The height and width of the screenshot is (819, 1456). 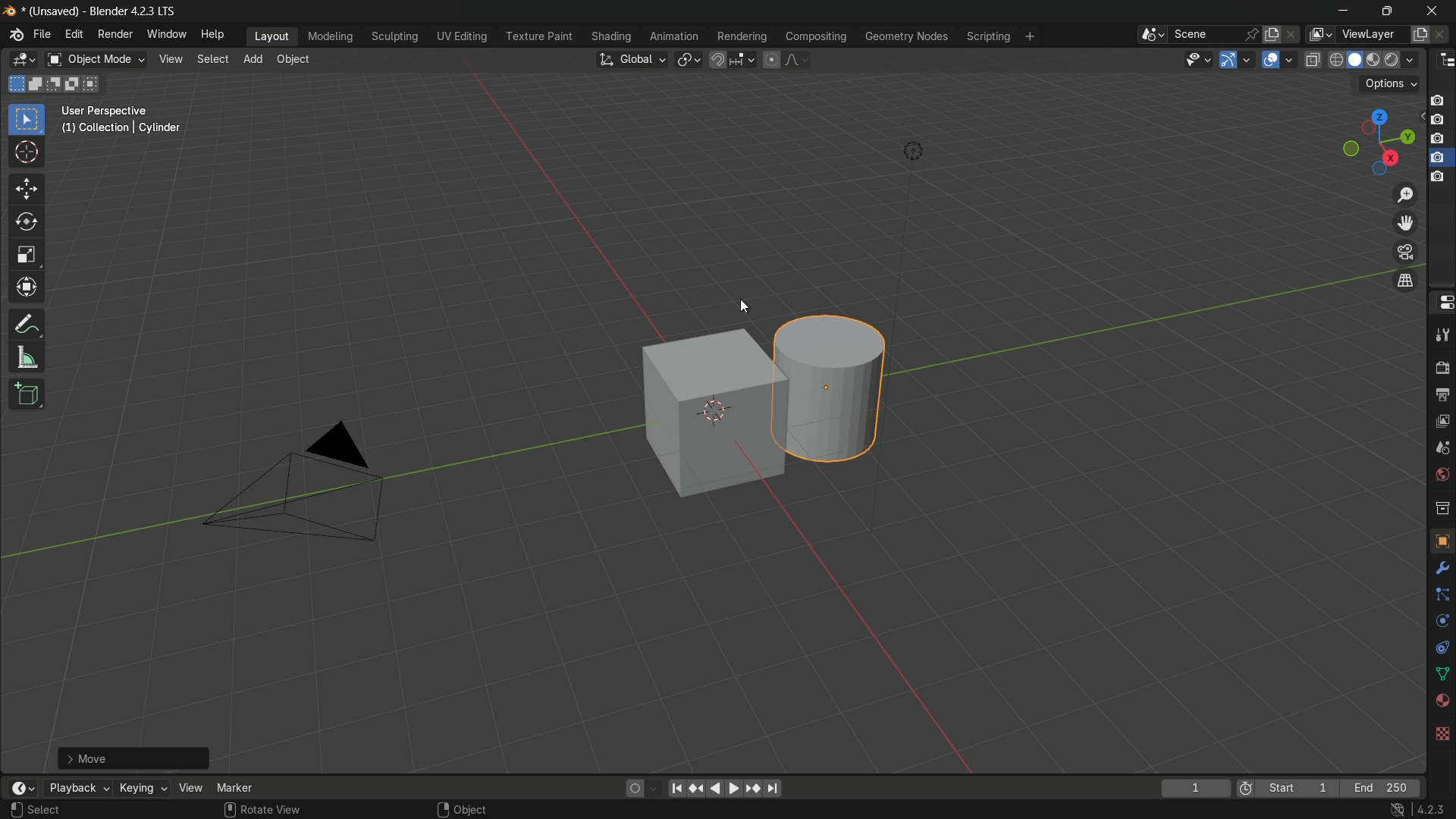 I want to click on preset viewpoint, so click(x=1378, y=143).